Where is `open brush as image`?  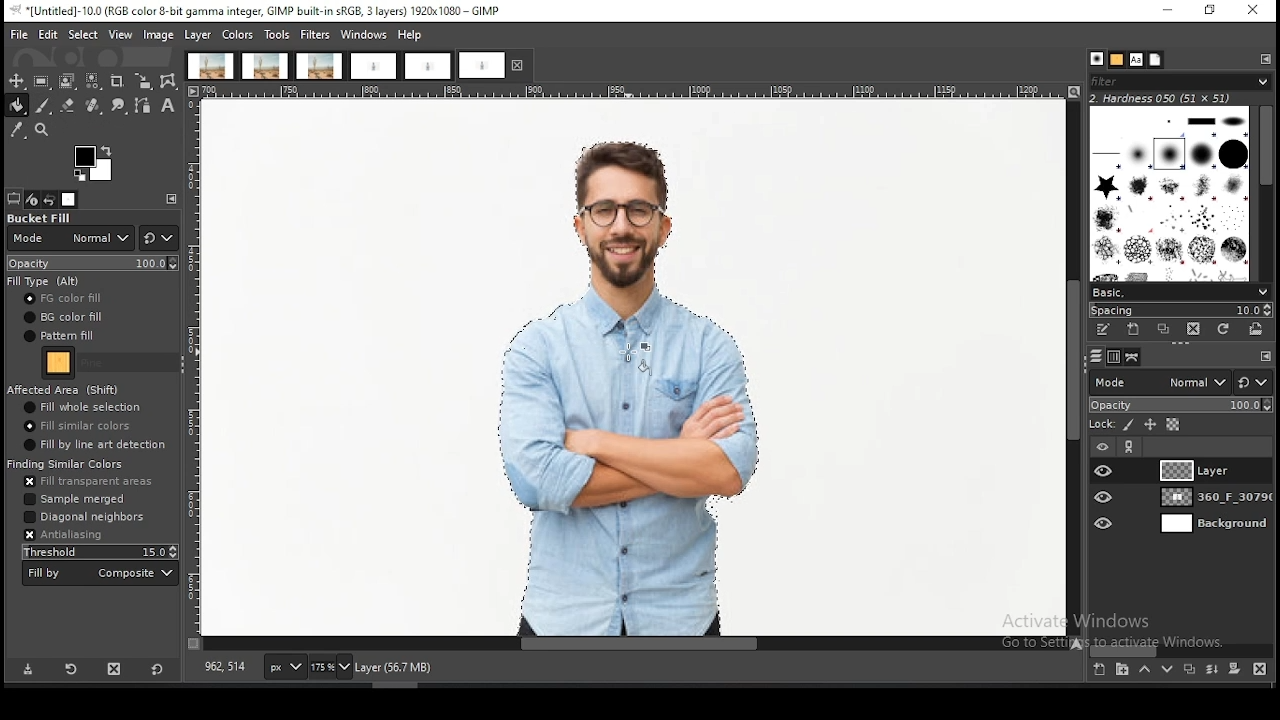 open brush as image is located at coordinates (1255, 329).